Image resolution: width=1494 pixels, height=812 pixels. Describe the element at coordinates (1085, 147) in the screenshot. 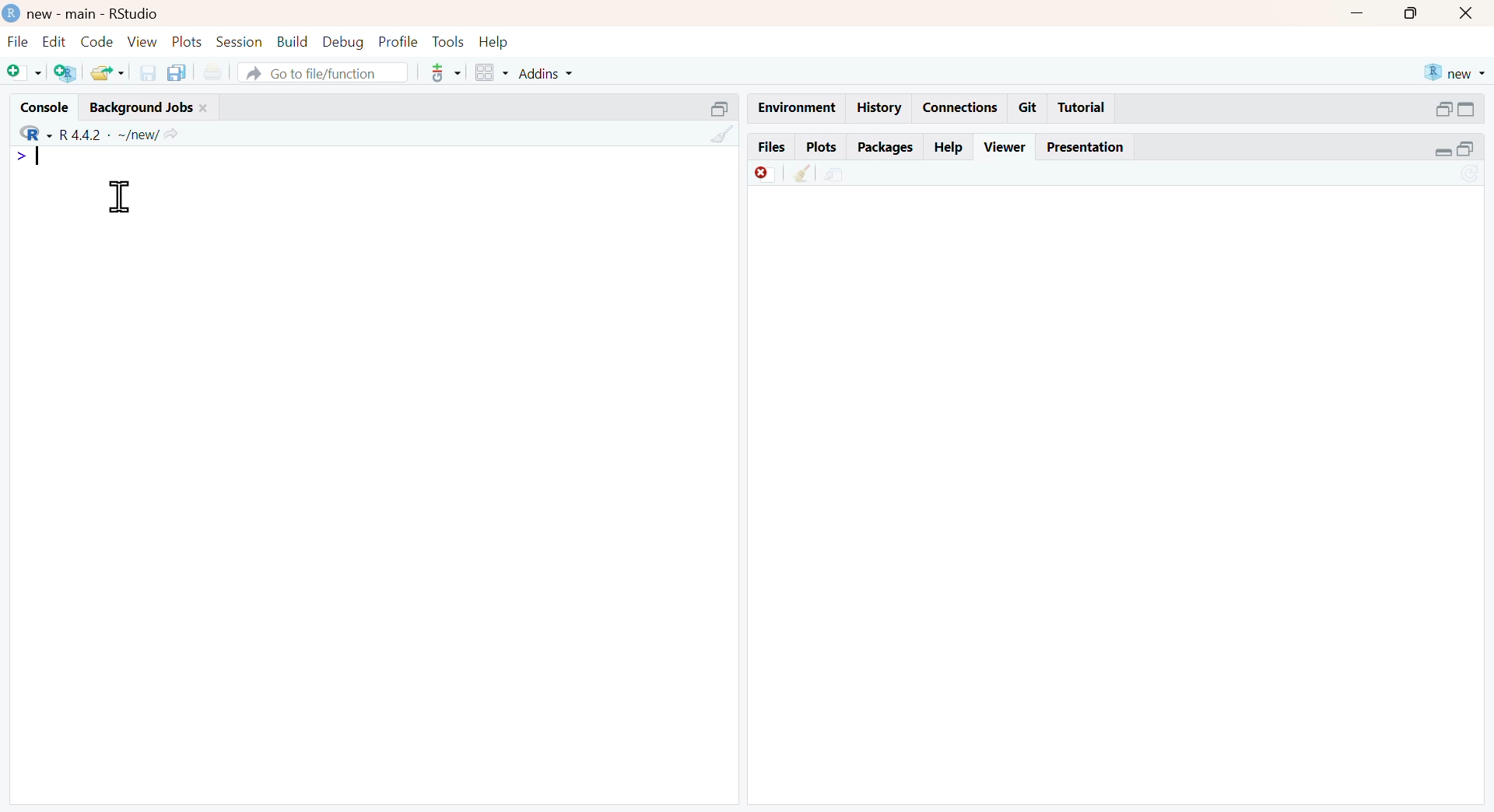

I see `Presentation ` at that location.